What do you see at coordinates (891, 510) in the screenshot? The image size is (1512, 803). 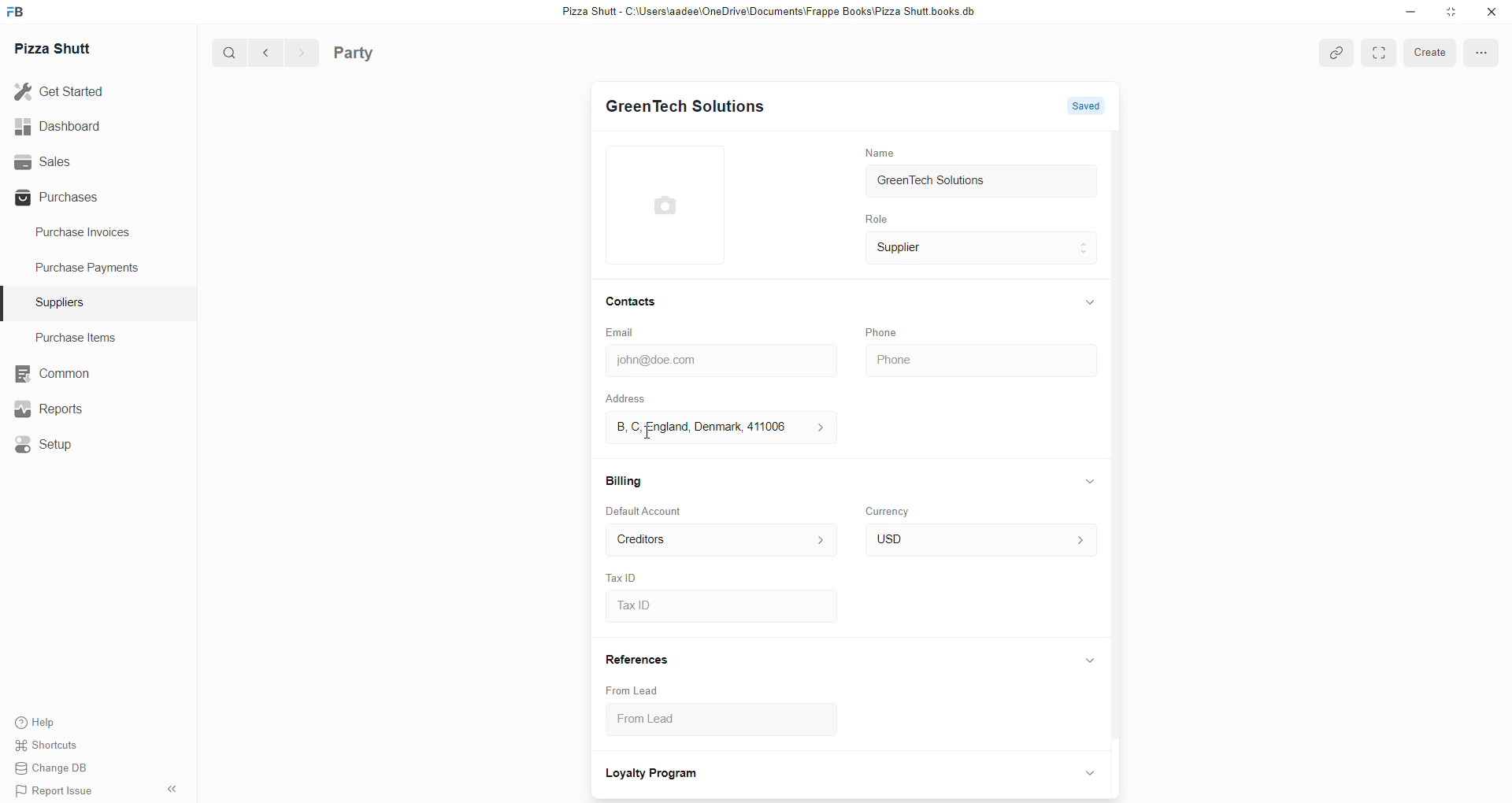 I see `Currency` at bounding box center [891, 510].